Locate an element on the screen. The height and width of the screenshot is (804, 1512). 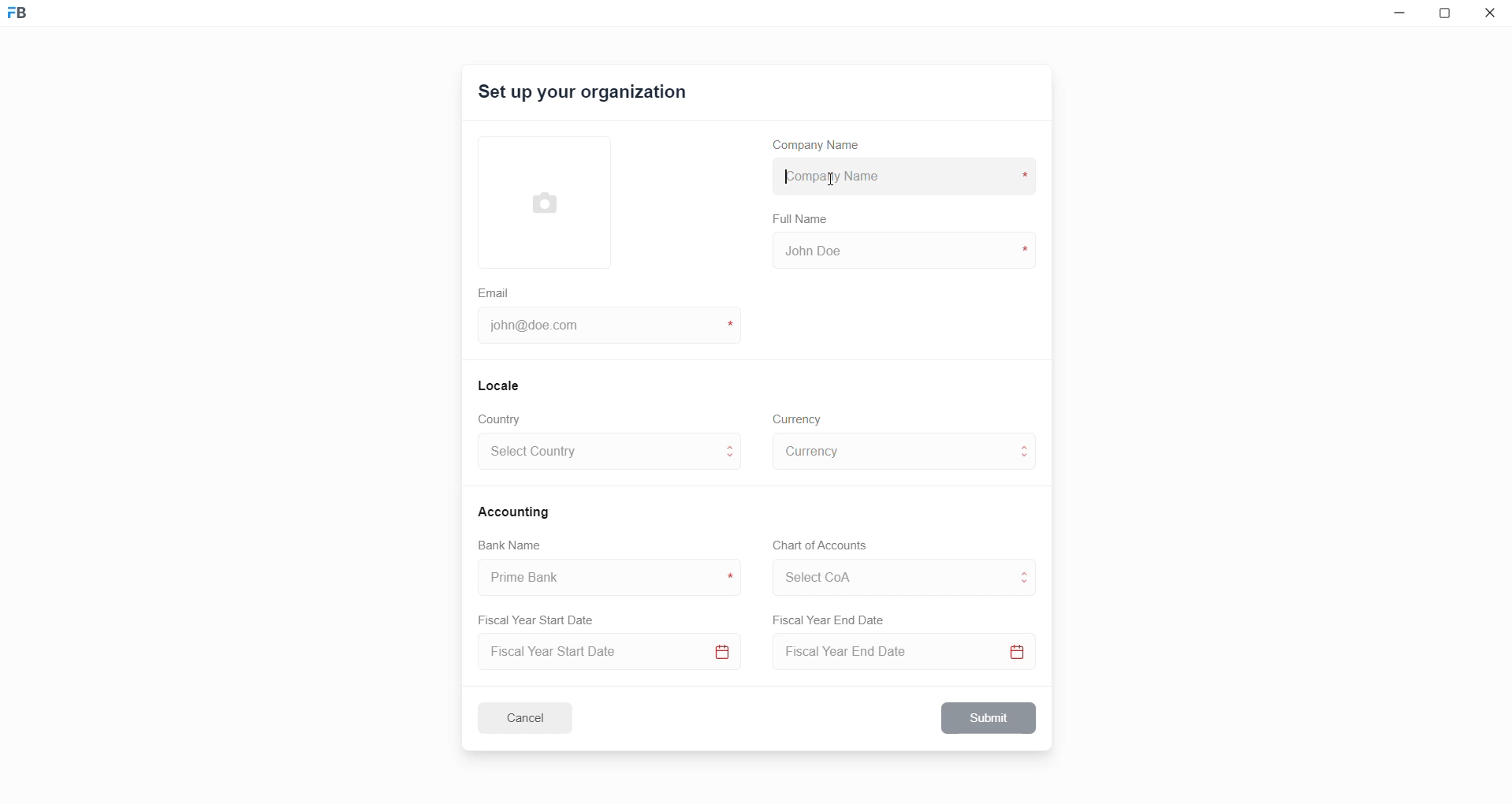
close is located at coordinates (1491, 16).